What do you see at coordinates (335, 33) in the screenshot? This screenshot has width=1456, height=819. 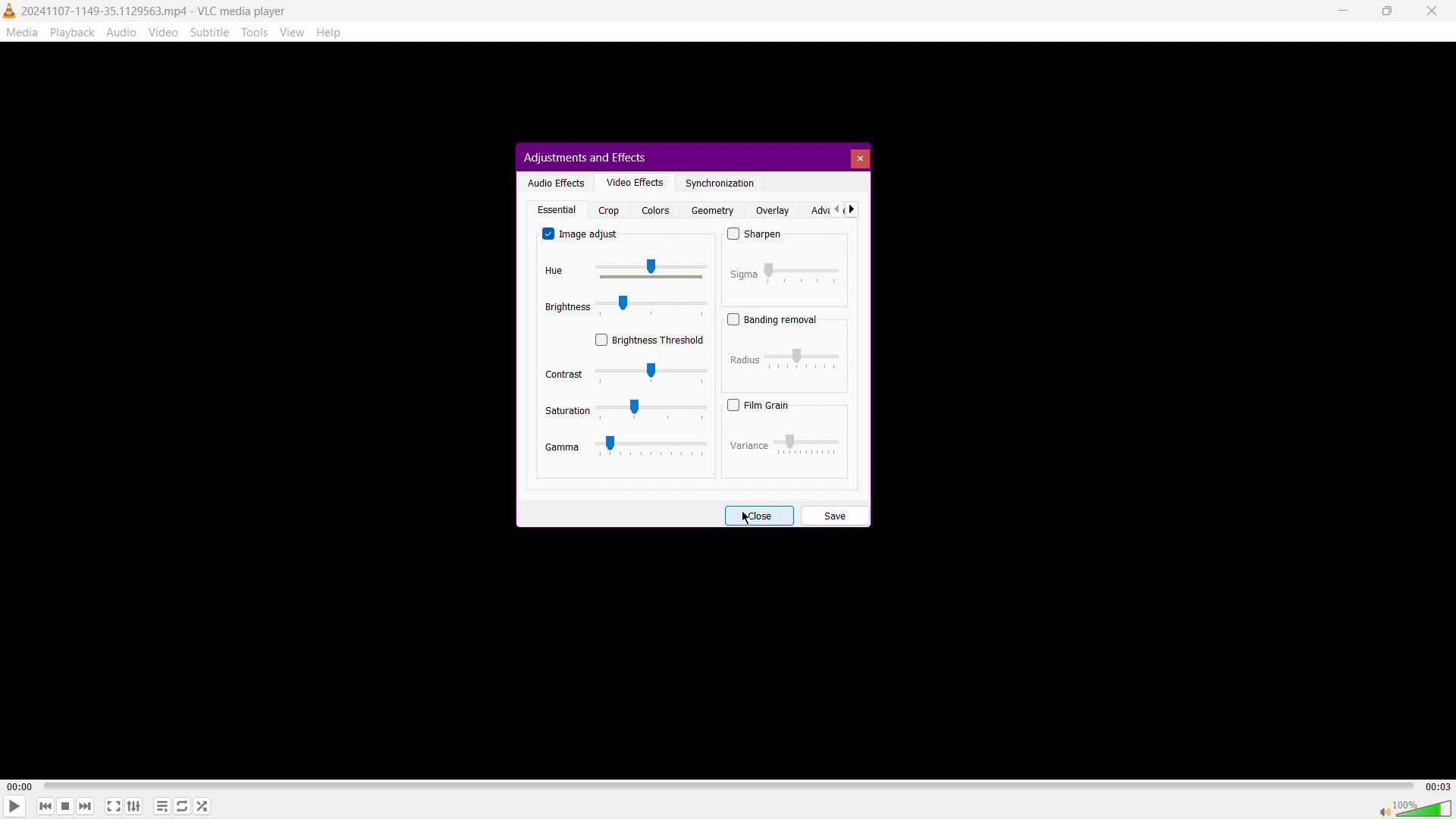 I see `Help` at bounding box center [335, 33].